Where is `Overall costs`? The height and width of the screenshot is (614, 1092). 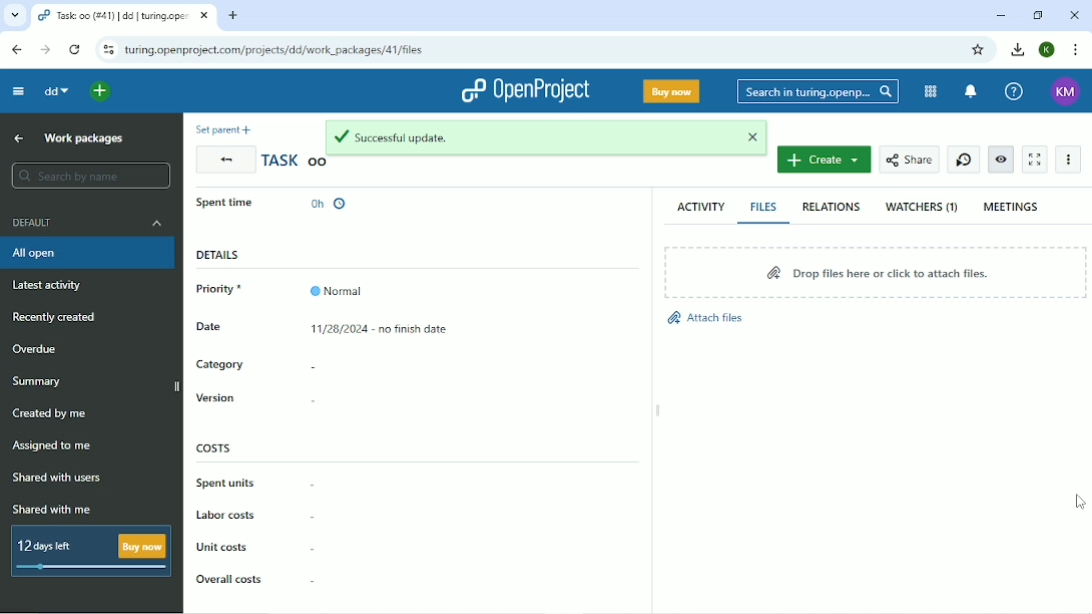 Overall costs is located at coordinates (228, 578).